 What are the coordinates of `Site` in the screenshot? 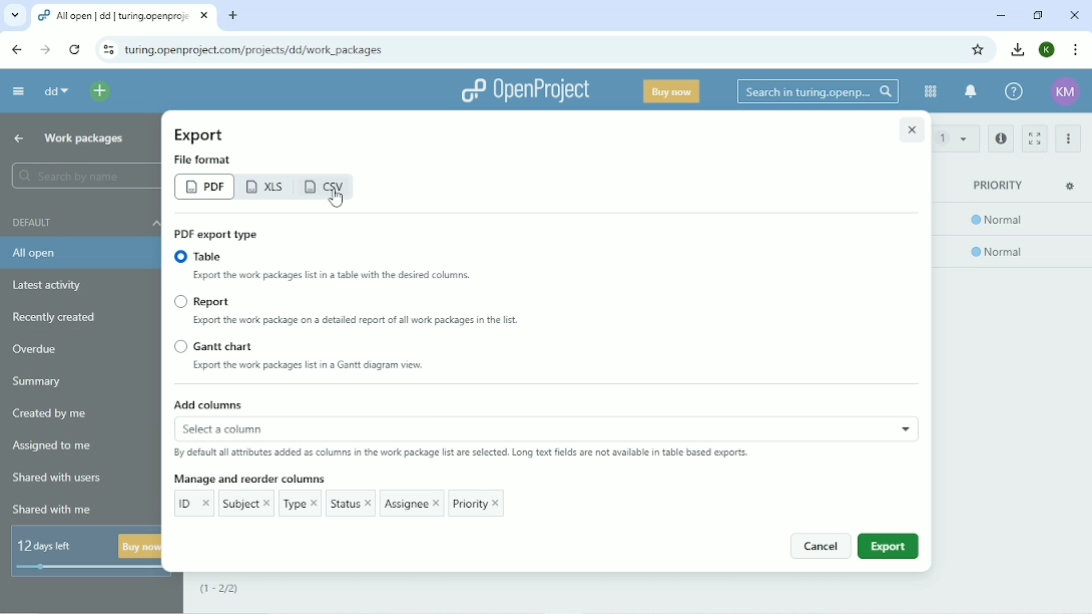 It's located at (255, 49).